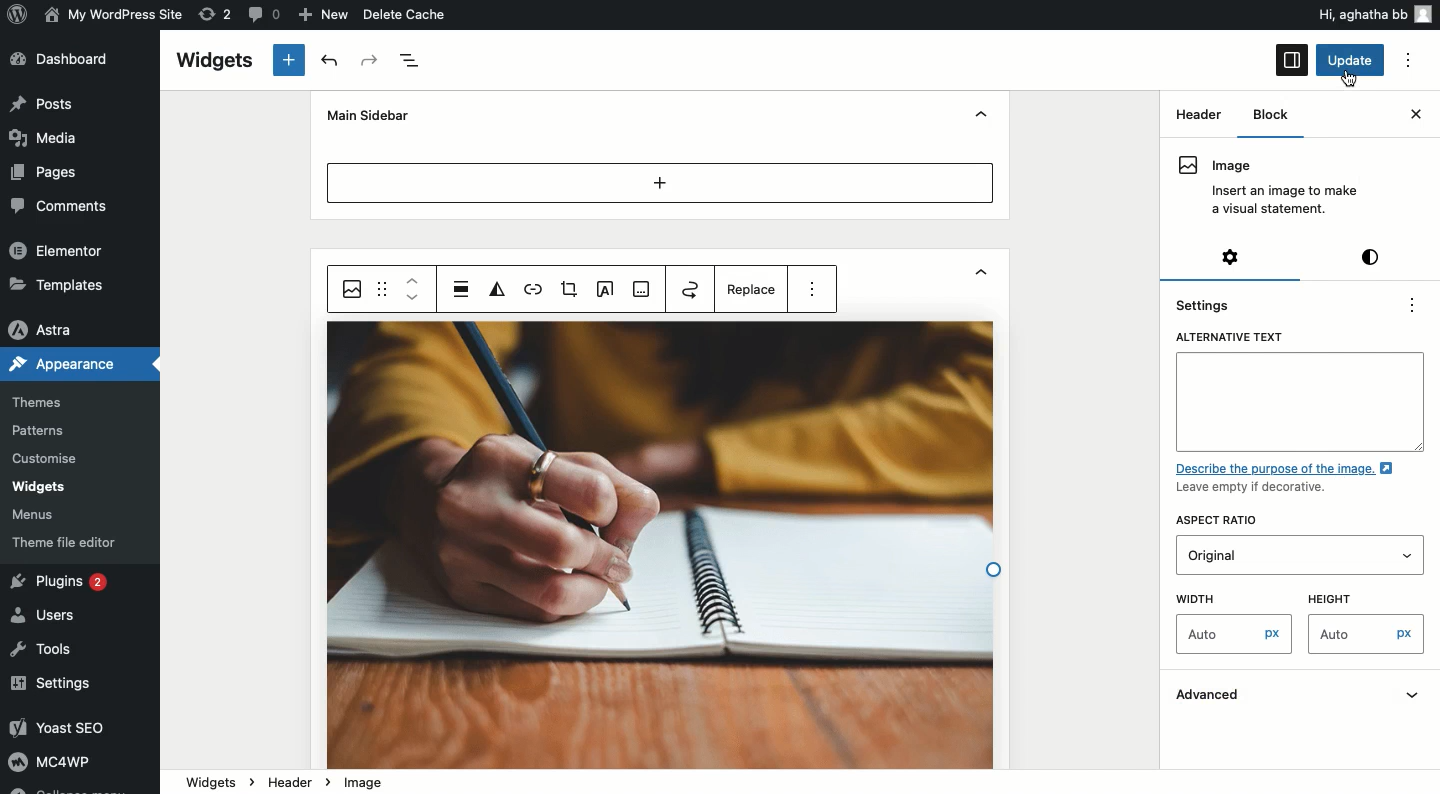 Image resolution: width=1440 pixels, height=794 pixels. I want to click on Collapse menu, so click(66, 788).